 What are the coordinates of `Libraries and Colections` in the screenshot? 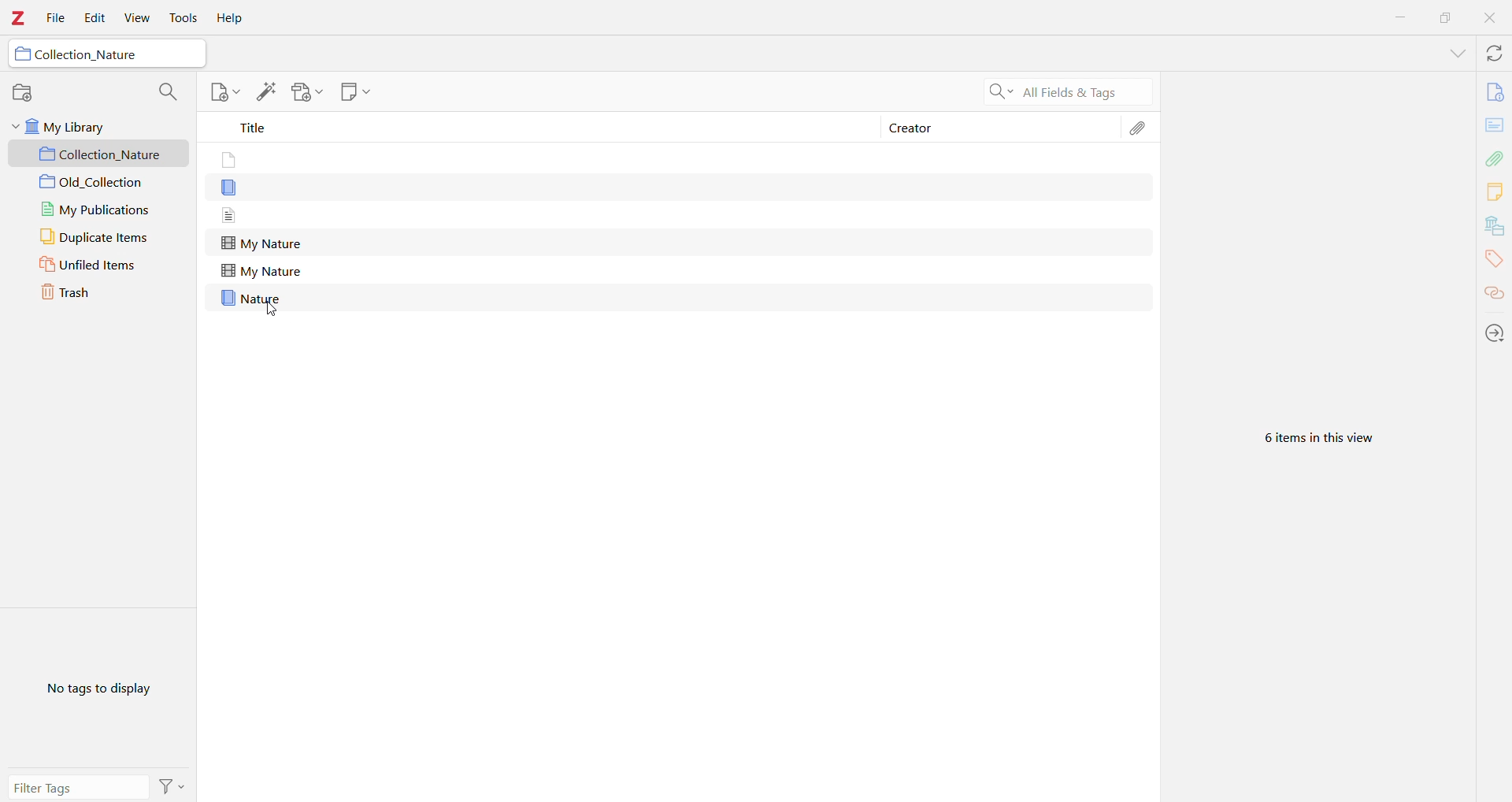 It's located at (1495, 228).